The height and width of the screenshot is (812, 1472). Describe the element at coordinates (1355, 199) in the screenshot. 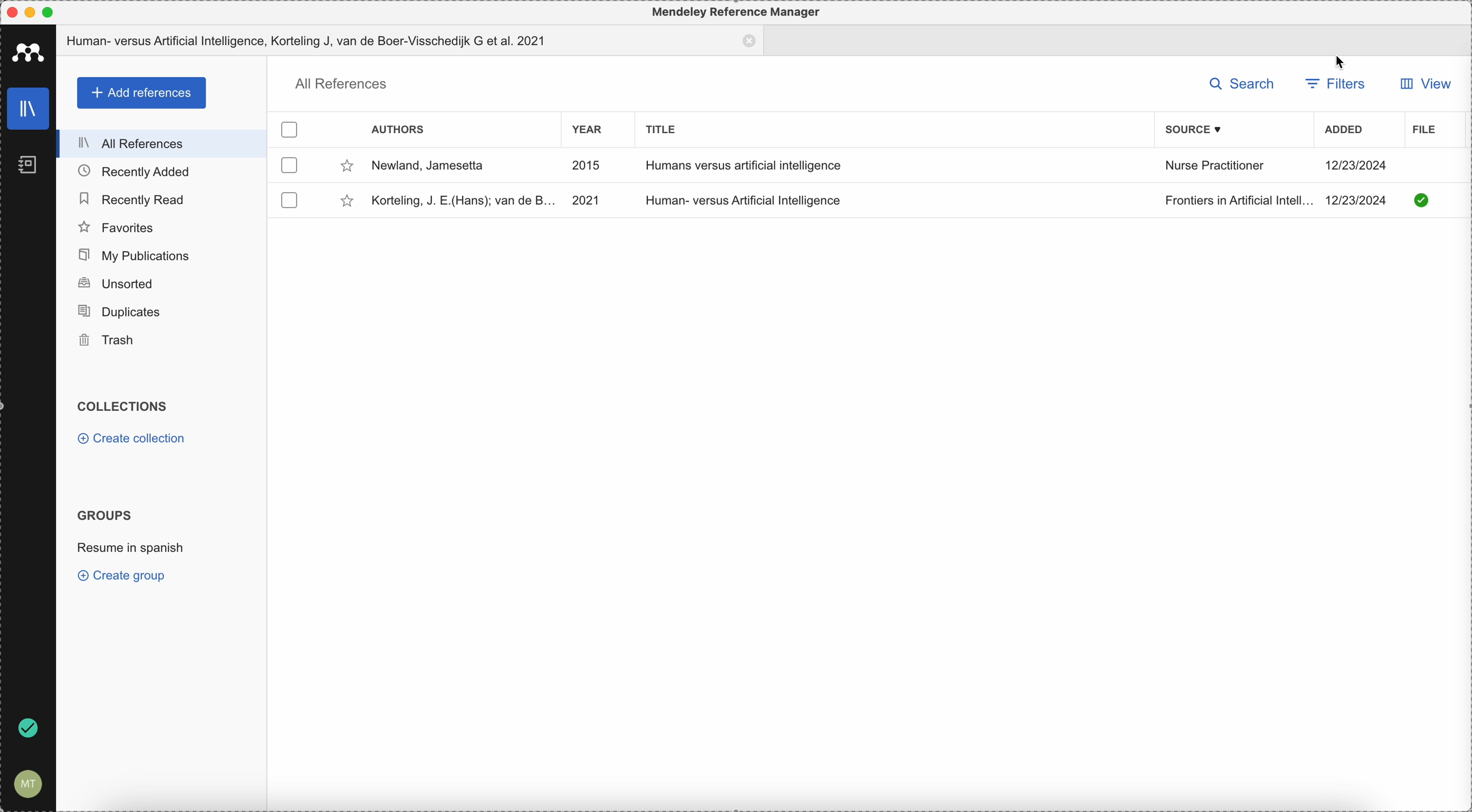

I see `12/23/2024` at that location.